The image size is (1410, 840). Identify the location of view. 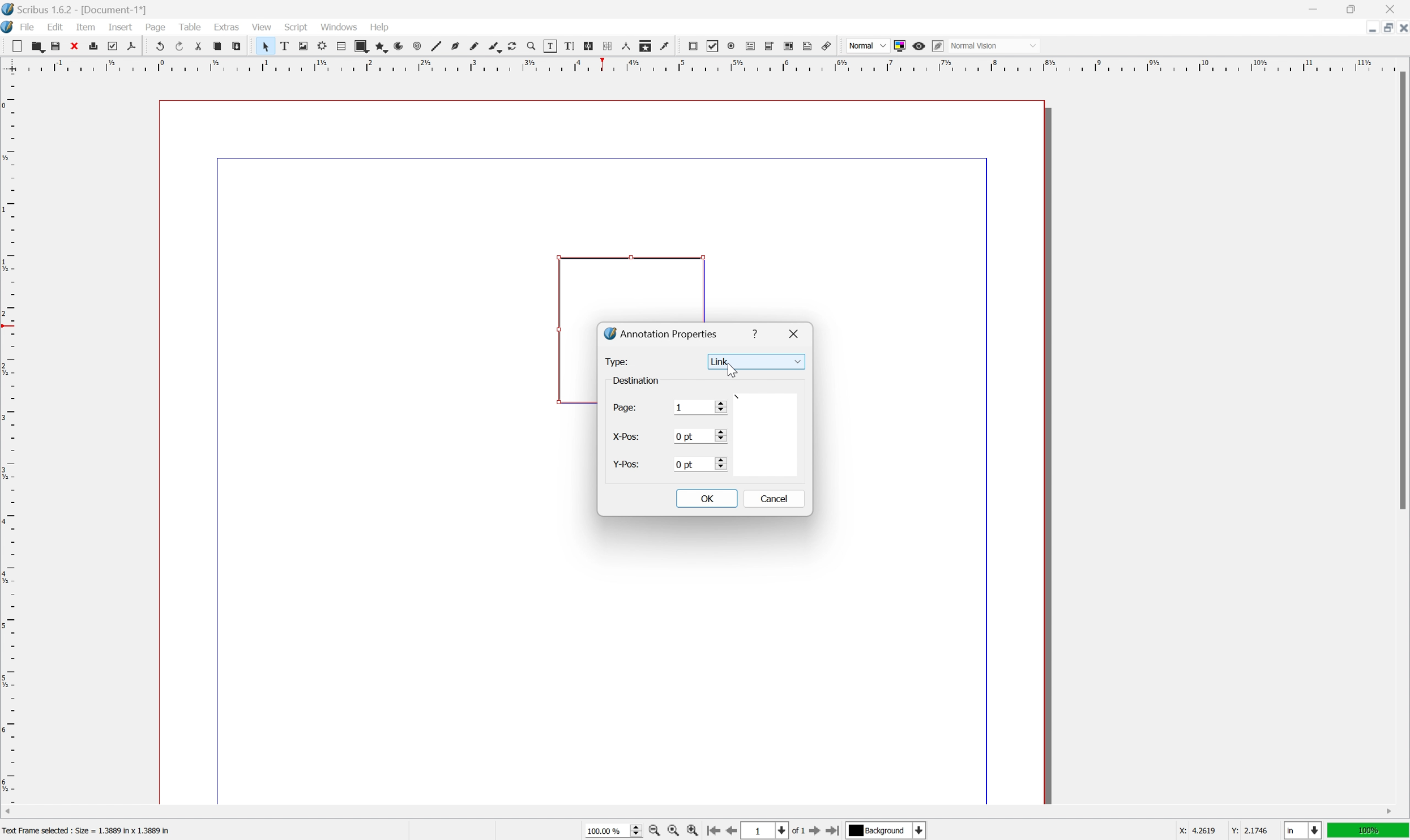
(260, 26).